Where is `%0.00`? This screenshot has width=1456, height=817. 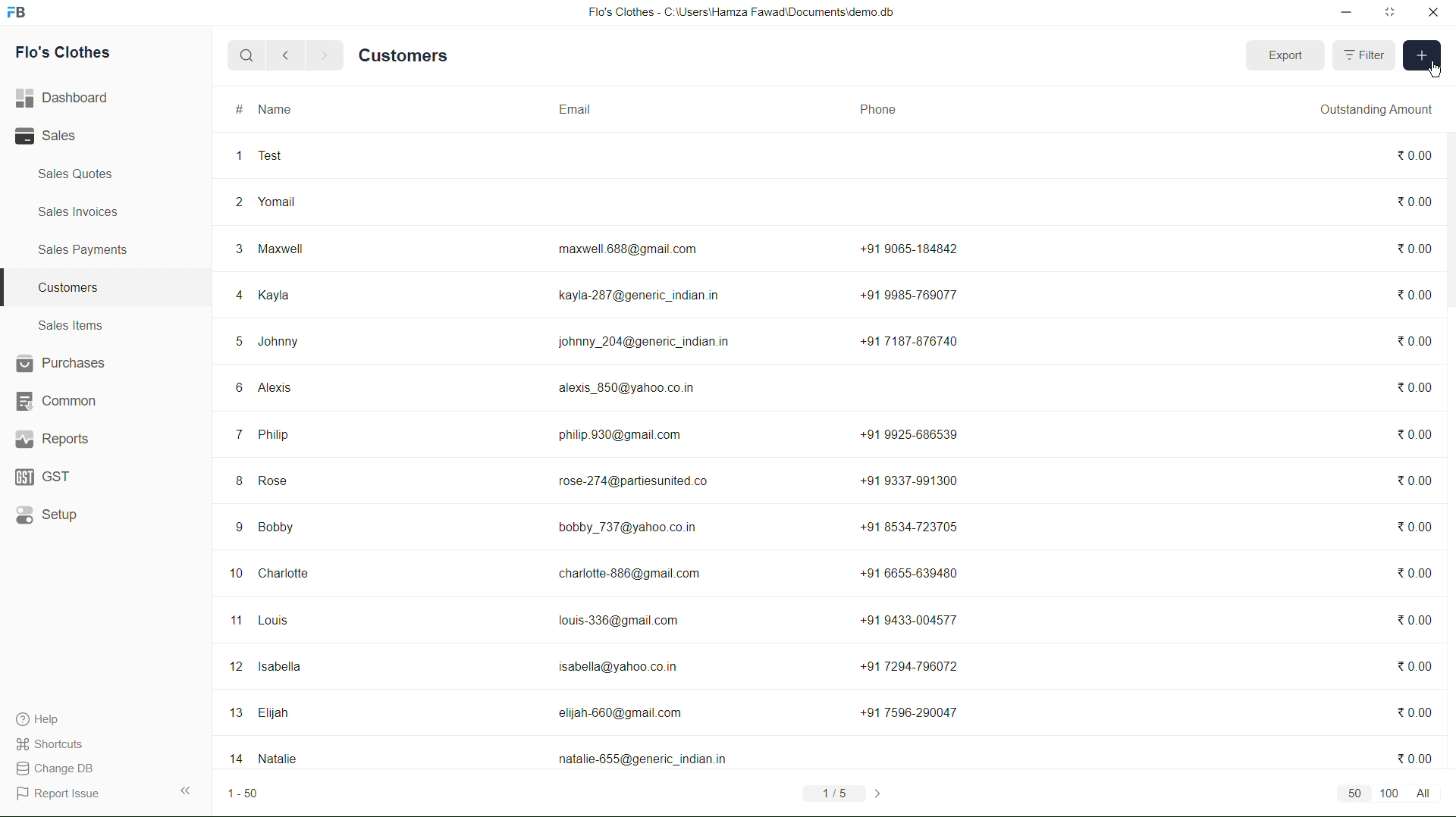 %0.00 is located at coordinates (1412, 619).